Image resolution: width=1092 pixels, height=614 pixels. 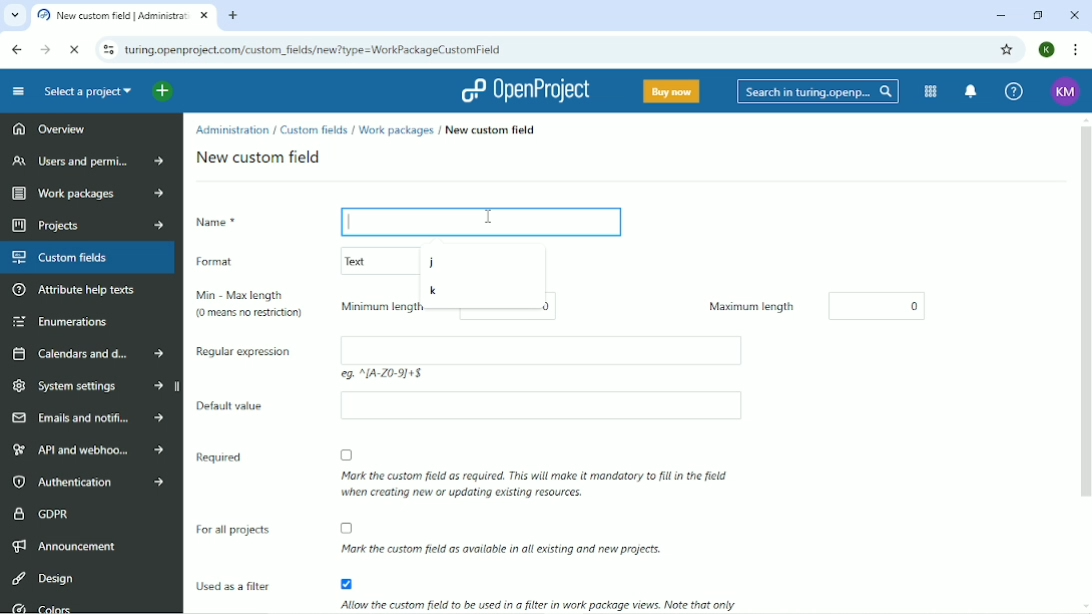 What do you see at coordinates (77, 291) in the screenshot?
I see `Attribute help texts` at bounding box center [77, 291].